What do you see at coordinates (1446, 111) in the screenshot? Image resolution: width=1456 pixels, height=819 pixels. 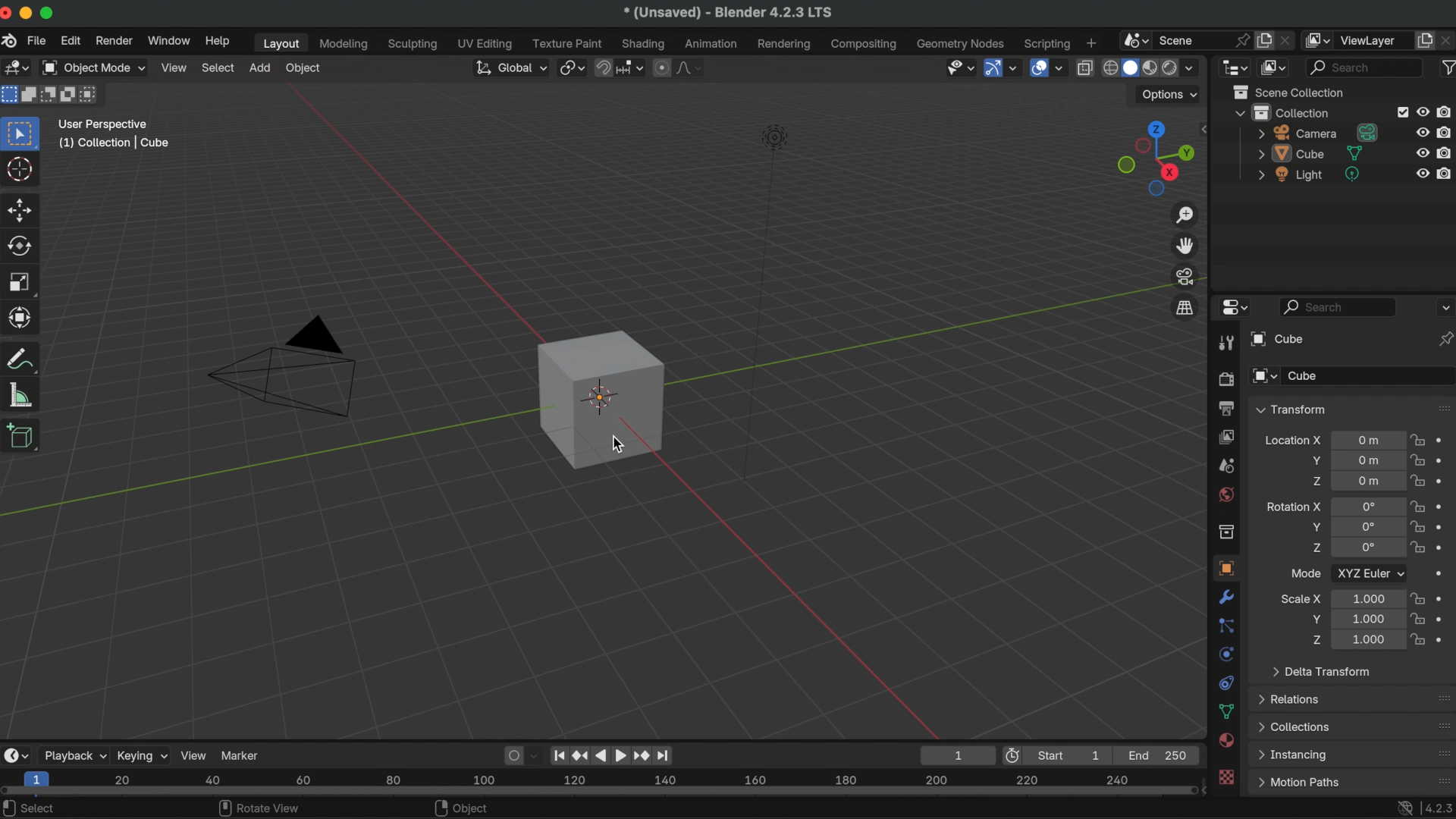 I see `disable in render` at bounding box center [1446, 111].